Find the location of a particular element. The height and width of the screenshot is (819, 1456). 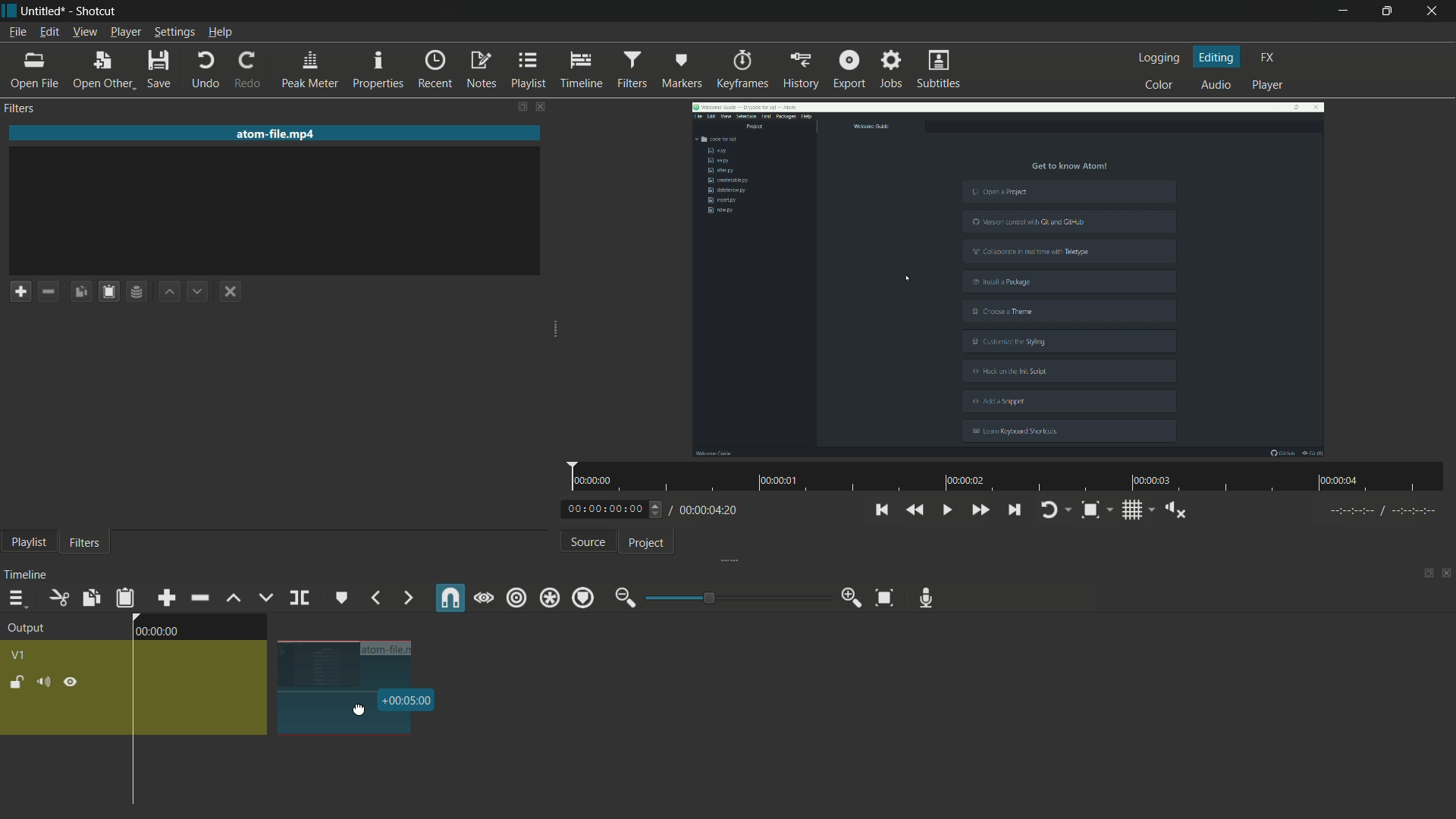

file name is located at coordinates (43, 11).